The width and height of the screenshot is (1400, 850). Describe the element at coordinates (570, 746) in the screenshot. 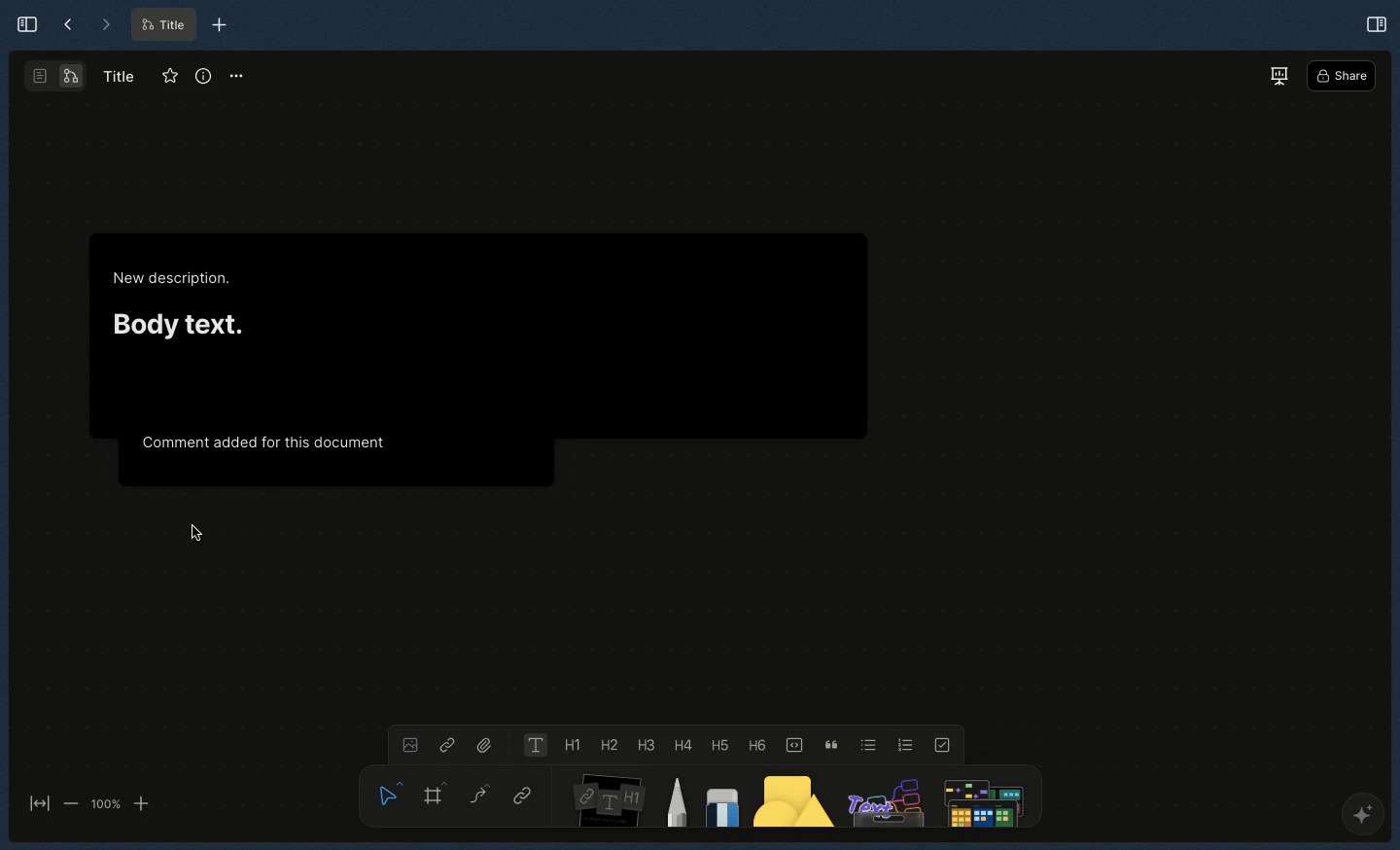

I see `Heading 1` at that location.